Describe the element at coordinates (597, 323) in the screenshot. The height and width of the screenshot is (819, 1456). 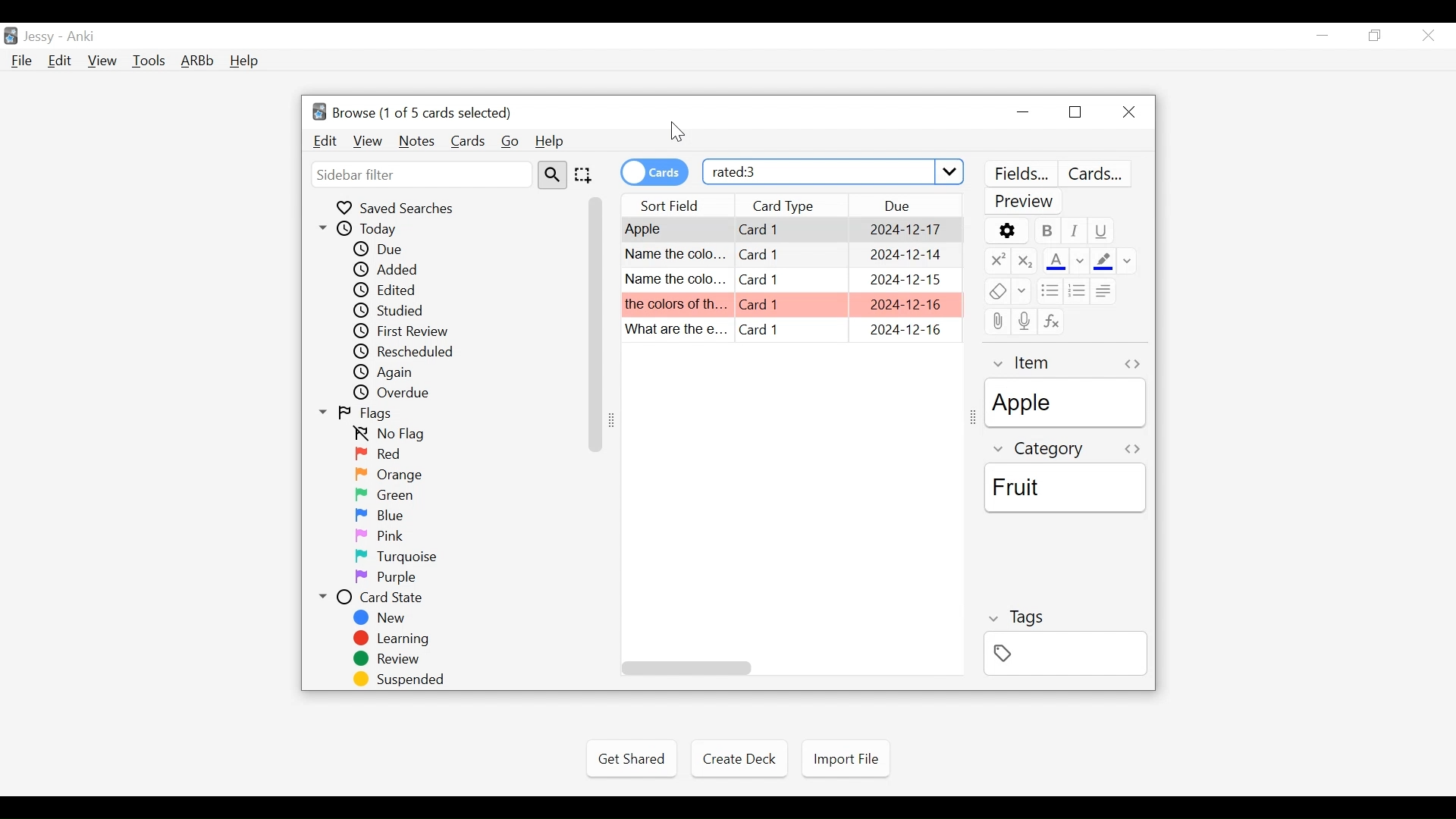
I see `Horizontal Scroll bar` at that location.